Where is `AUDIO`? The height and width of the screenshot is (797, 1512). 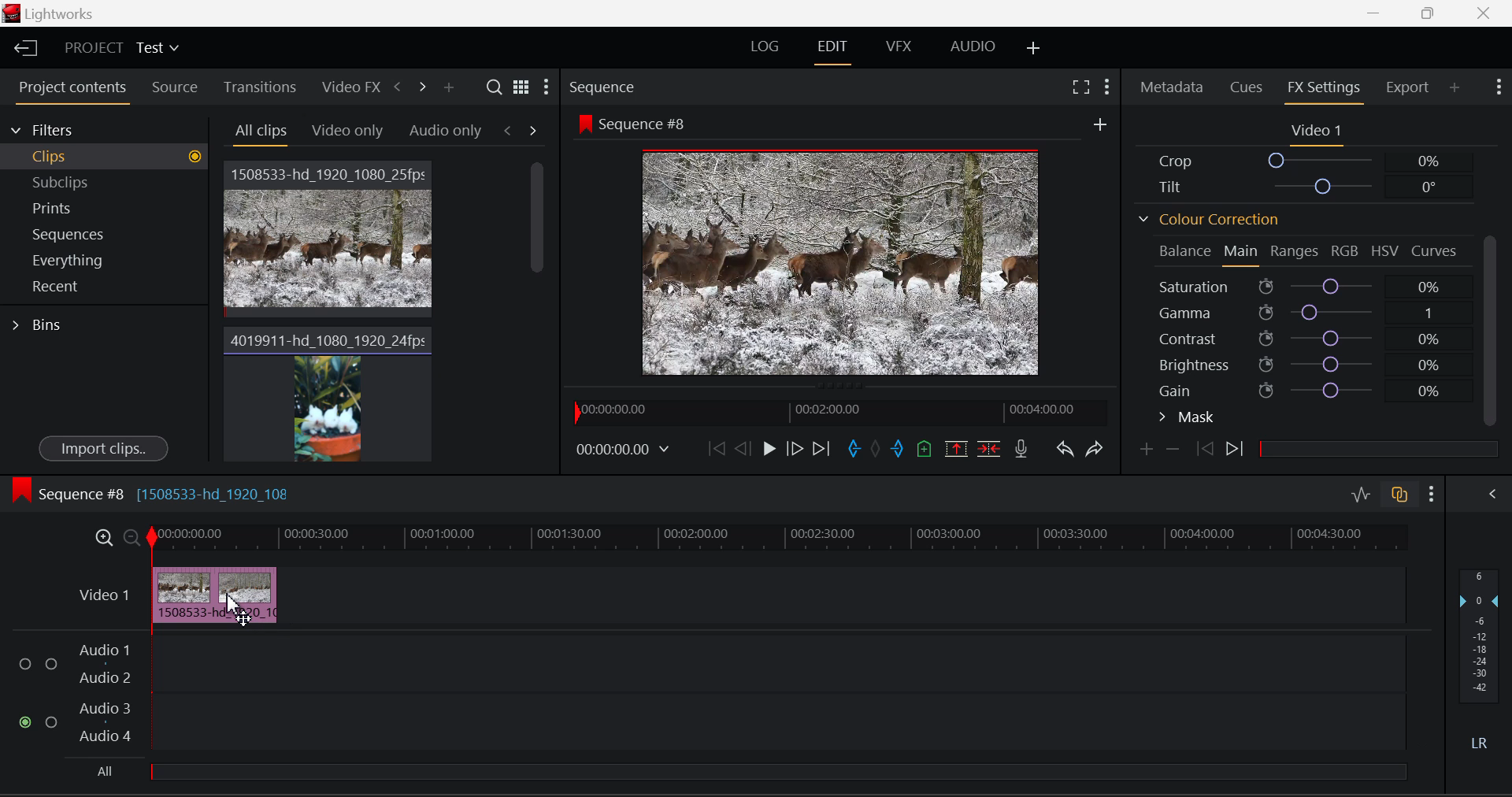
AUDIO is located at coordinates (972, 47).